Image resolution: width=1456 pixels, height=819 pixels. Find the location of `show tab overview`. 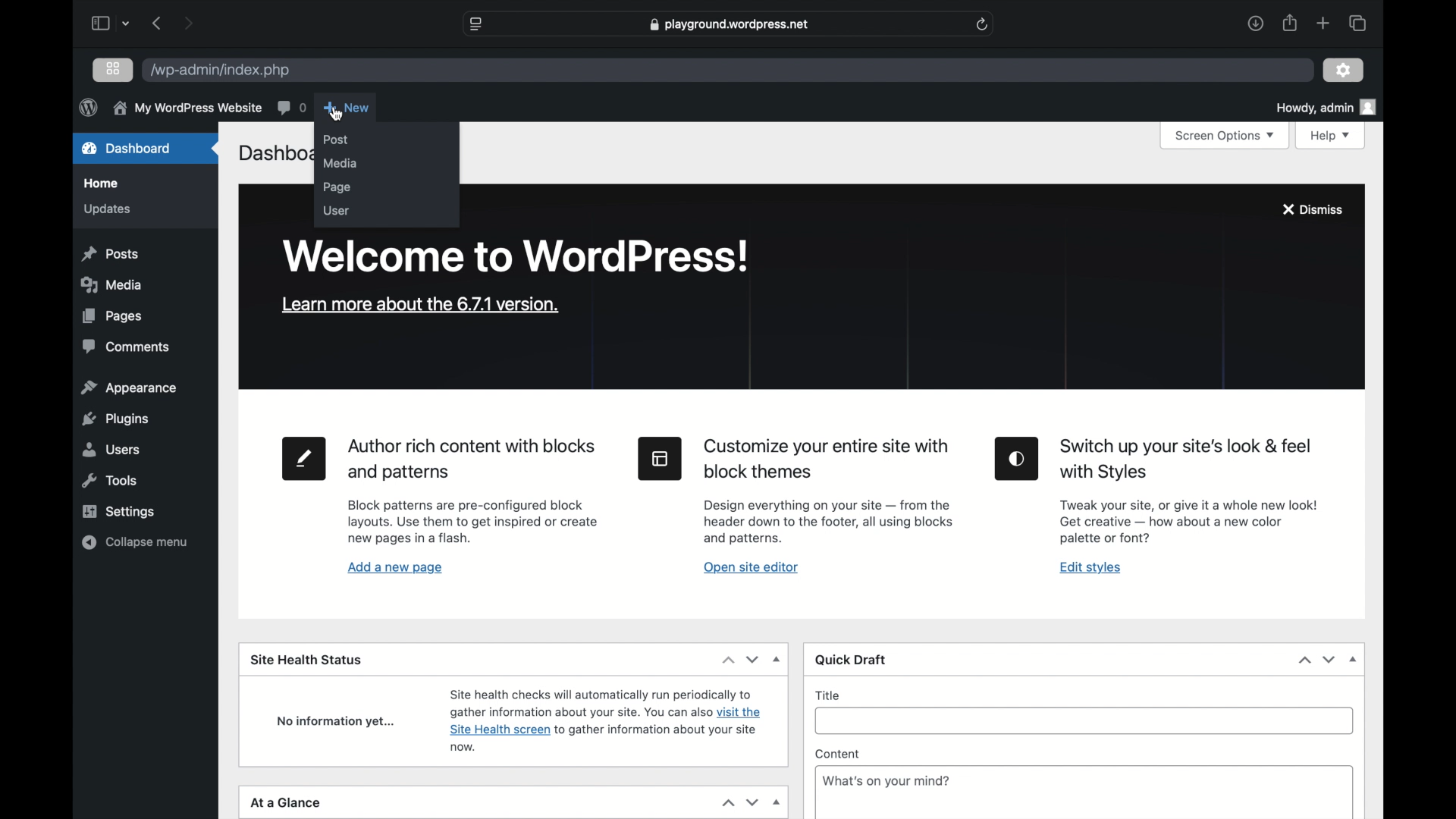

show tab overview is located at coordinates (1357, 22).